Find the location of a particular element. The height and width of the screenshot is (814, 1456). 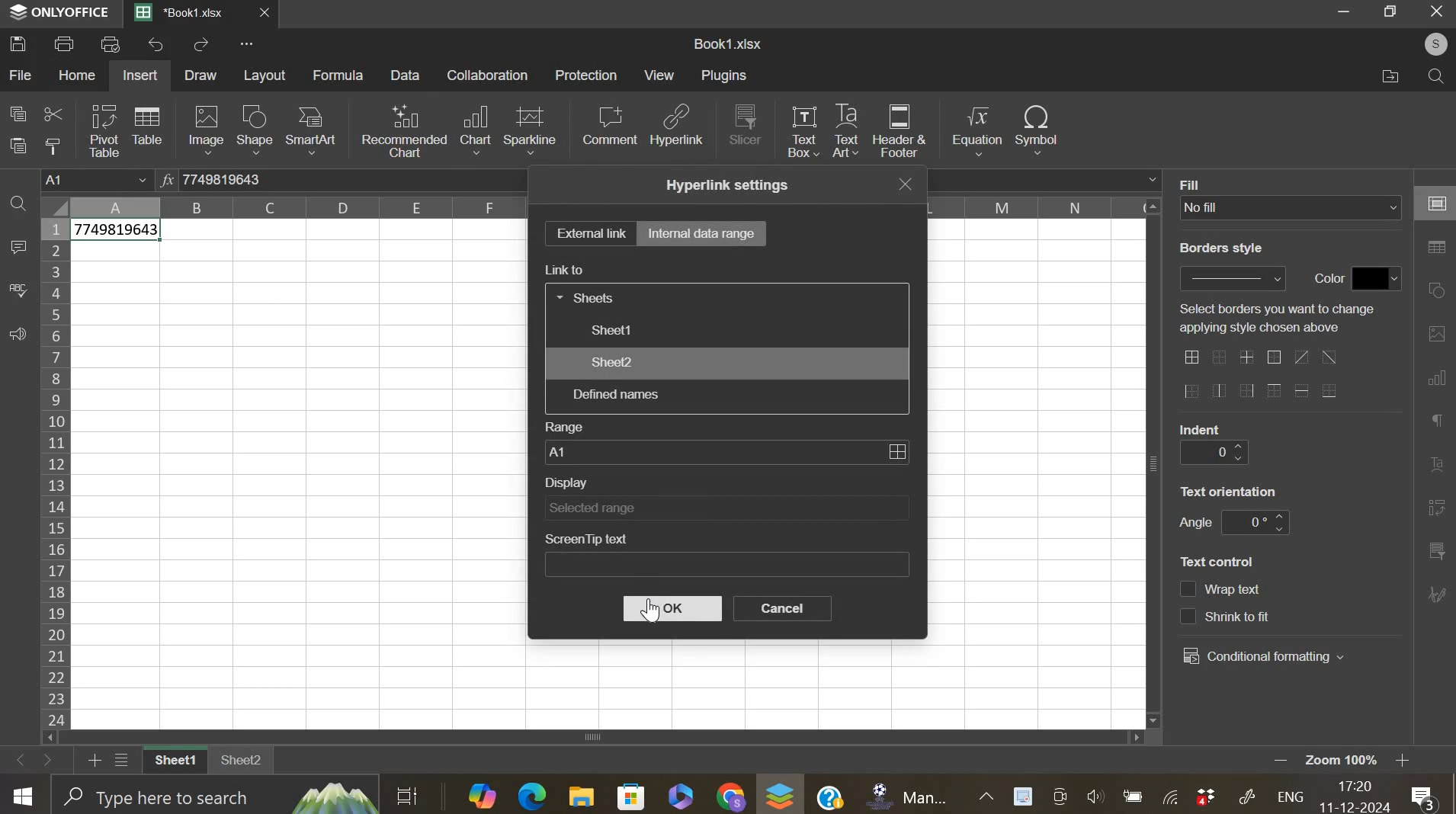

view more is located at coordinates (252, 46).